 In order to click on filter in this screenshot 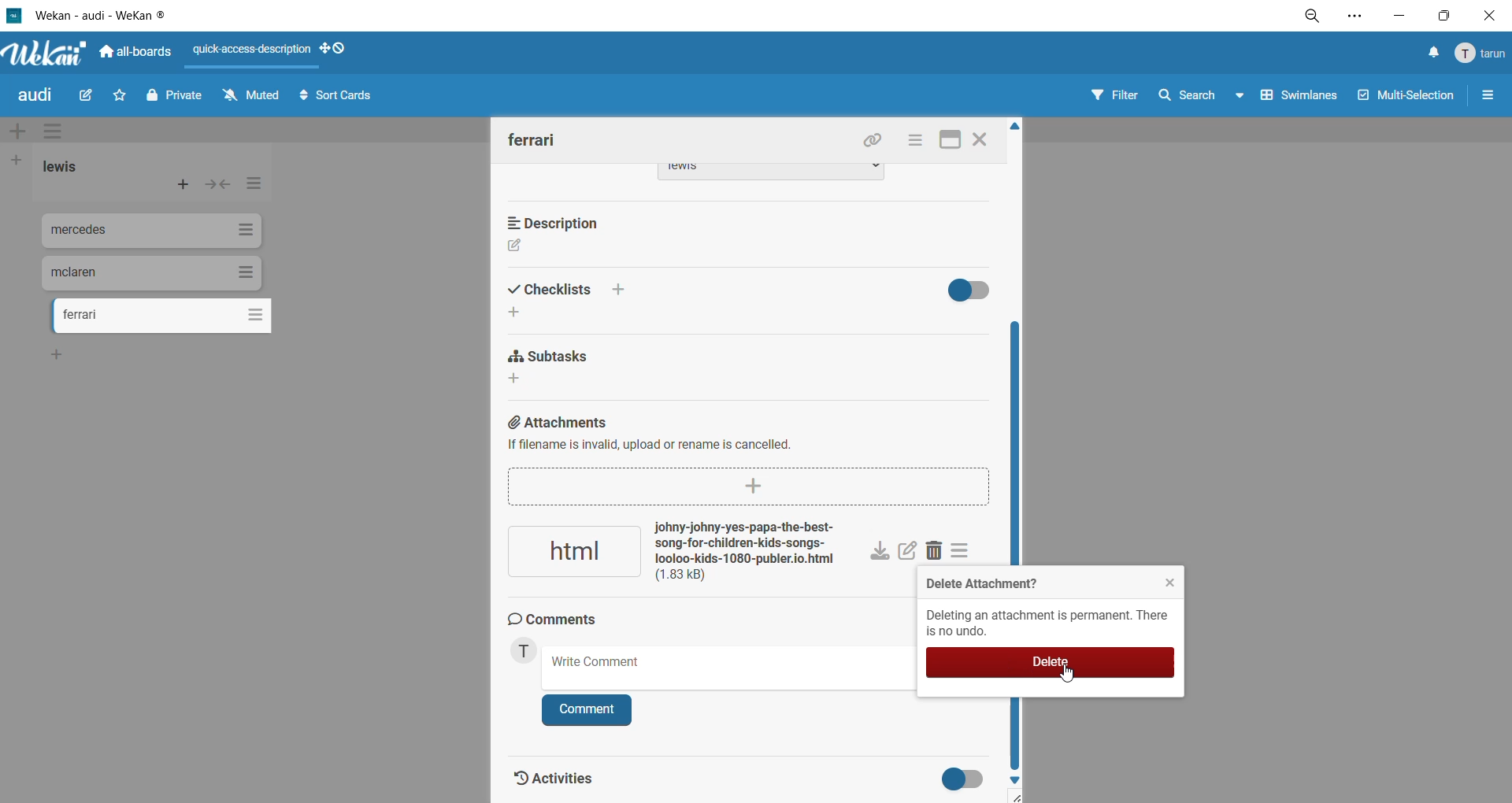, I will do `click(1119, 98)`.